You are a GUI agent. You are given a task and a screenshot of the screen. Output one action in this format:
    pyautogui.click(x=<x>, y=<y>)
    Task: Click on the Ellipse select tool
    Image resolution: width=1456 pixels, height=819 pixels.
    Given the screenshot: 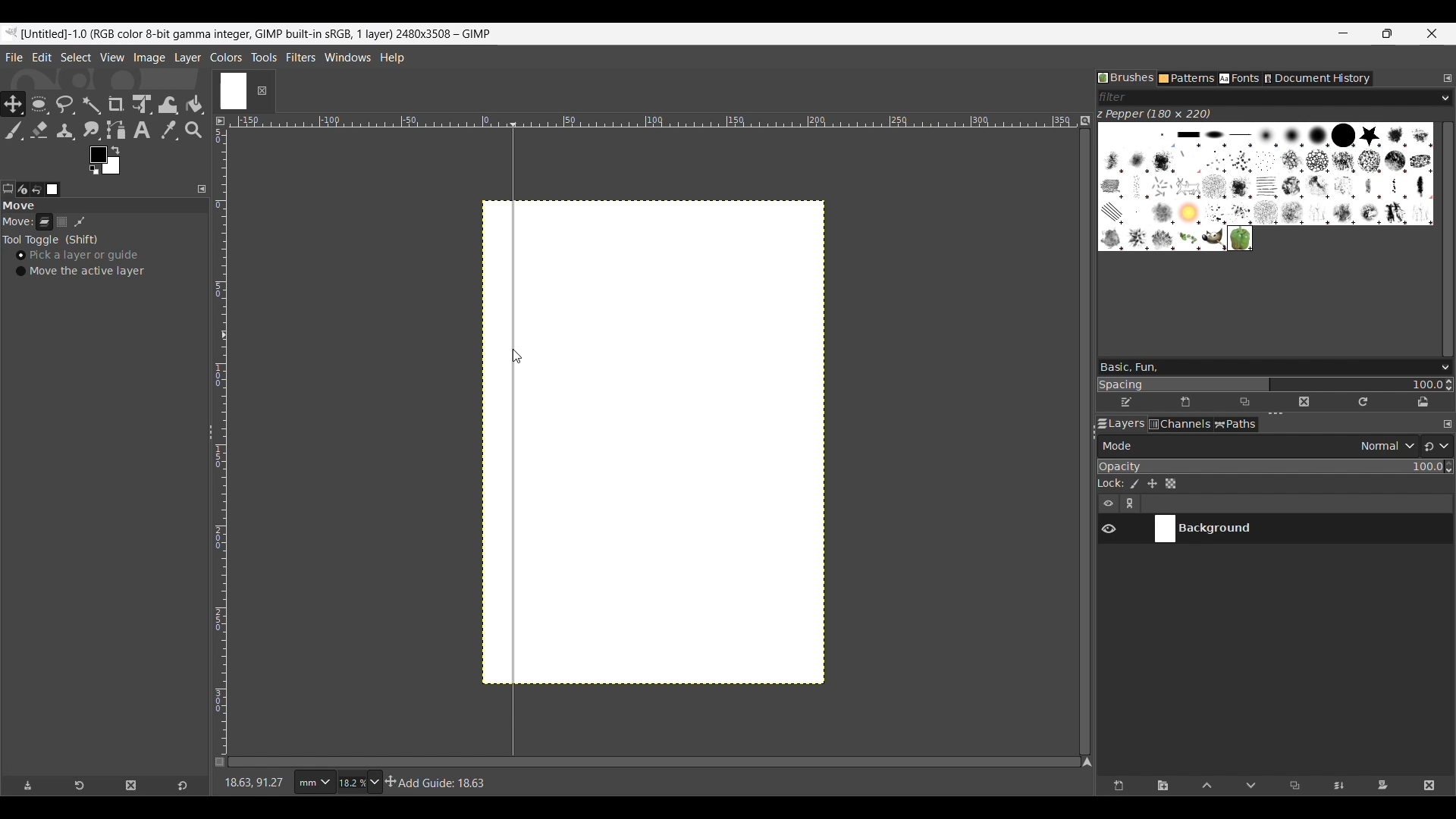 What is the action you would take?
    pyautogui.click(x=37, y=104)
    